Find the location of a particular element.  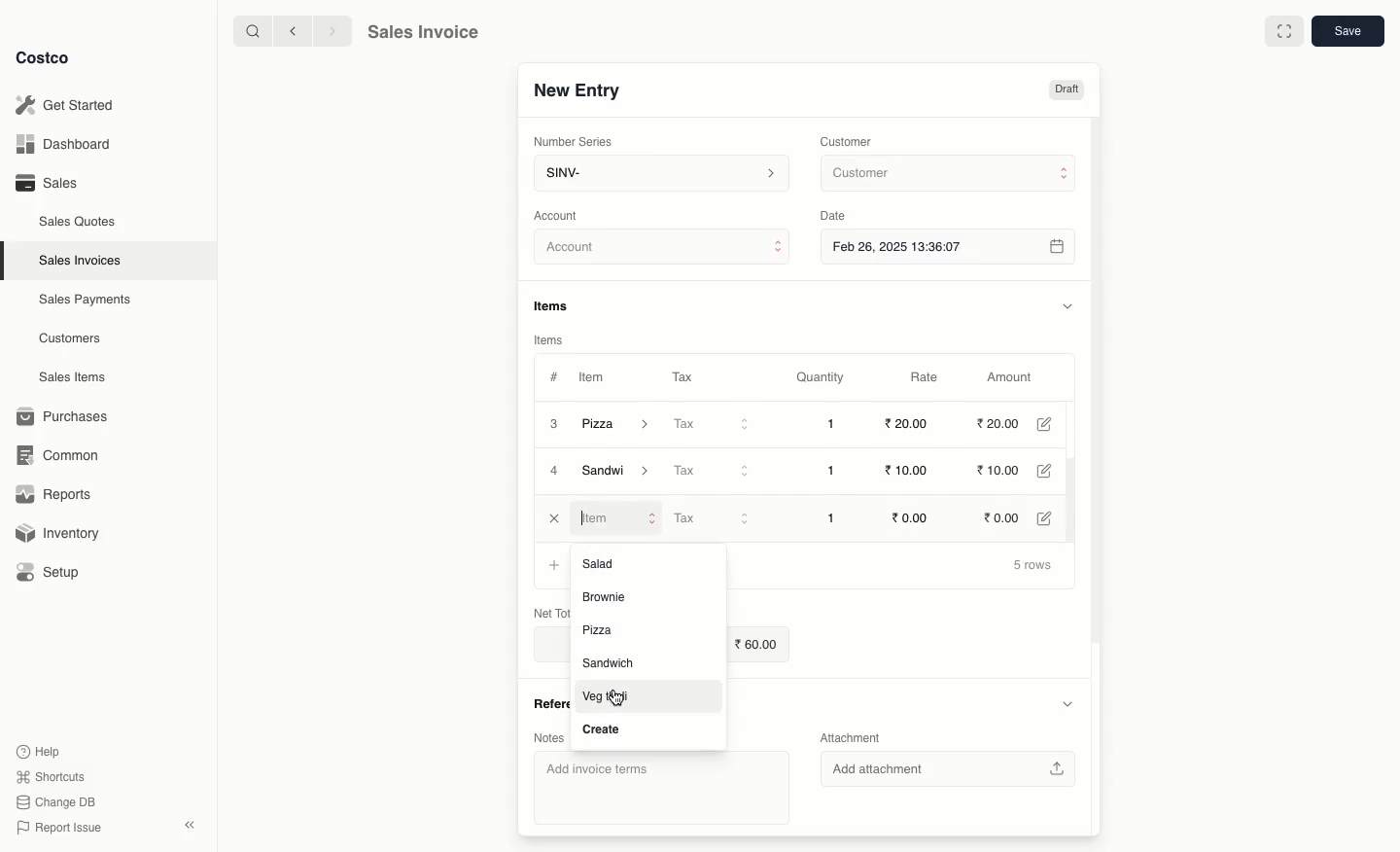

Create is located at coordinates (602, 728).